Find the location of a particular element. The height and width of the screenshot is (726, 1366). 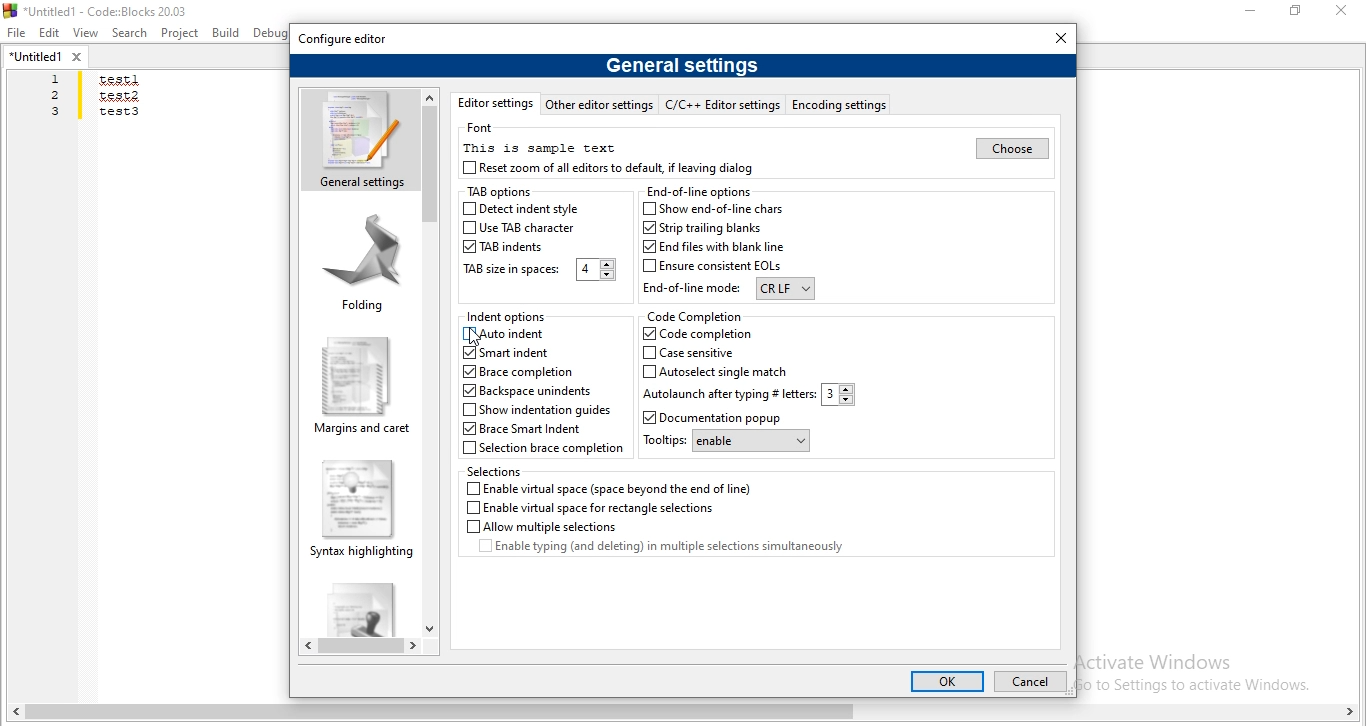

ok is located at coordinates (945, 681).